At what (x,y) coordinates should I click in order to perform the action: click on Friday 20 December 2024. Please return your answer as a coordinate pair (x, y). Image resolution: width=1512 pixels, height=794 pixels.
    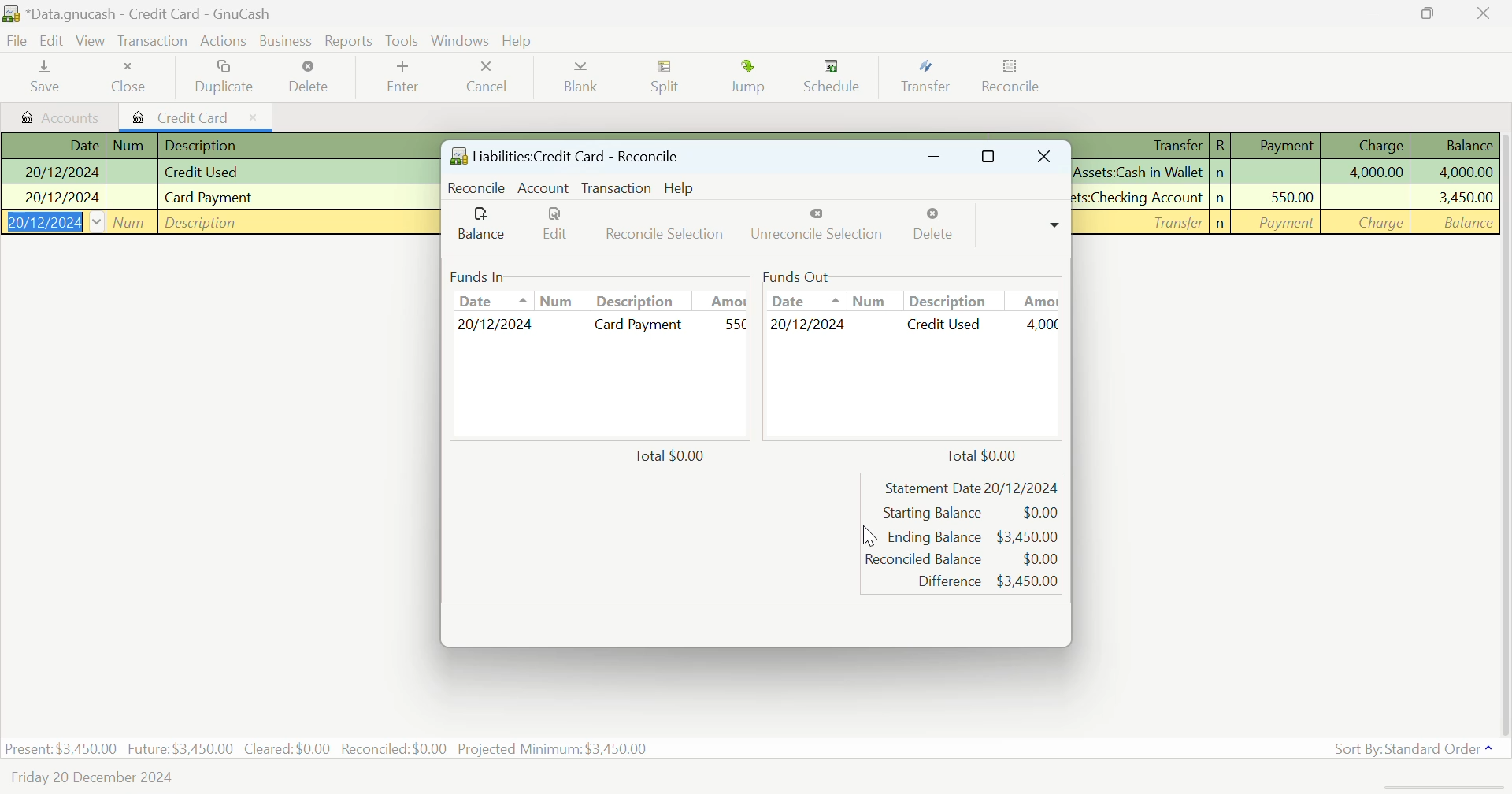
    Looking at the image, I should click on (90, 781).